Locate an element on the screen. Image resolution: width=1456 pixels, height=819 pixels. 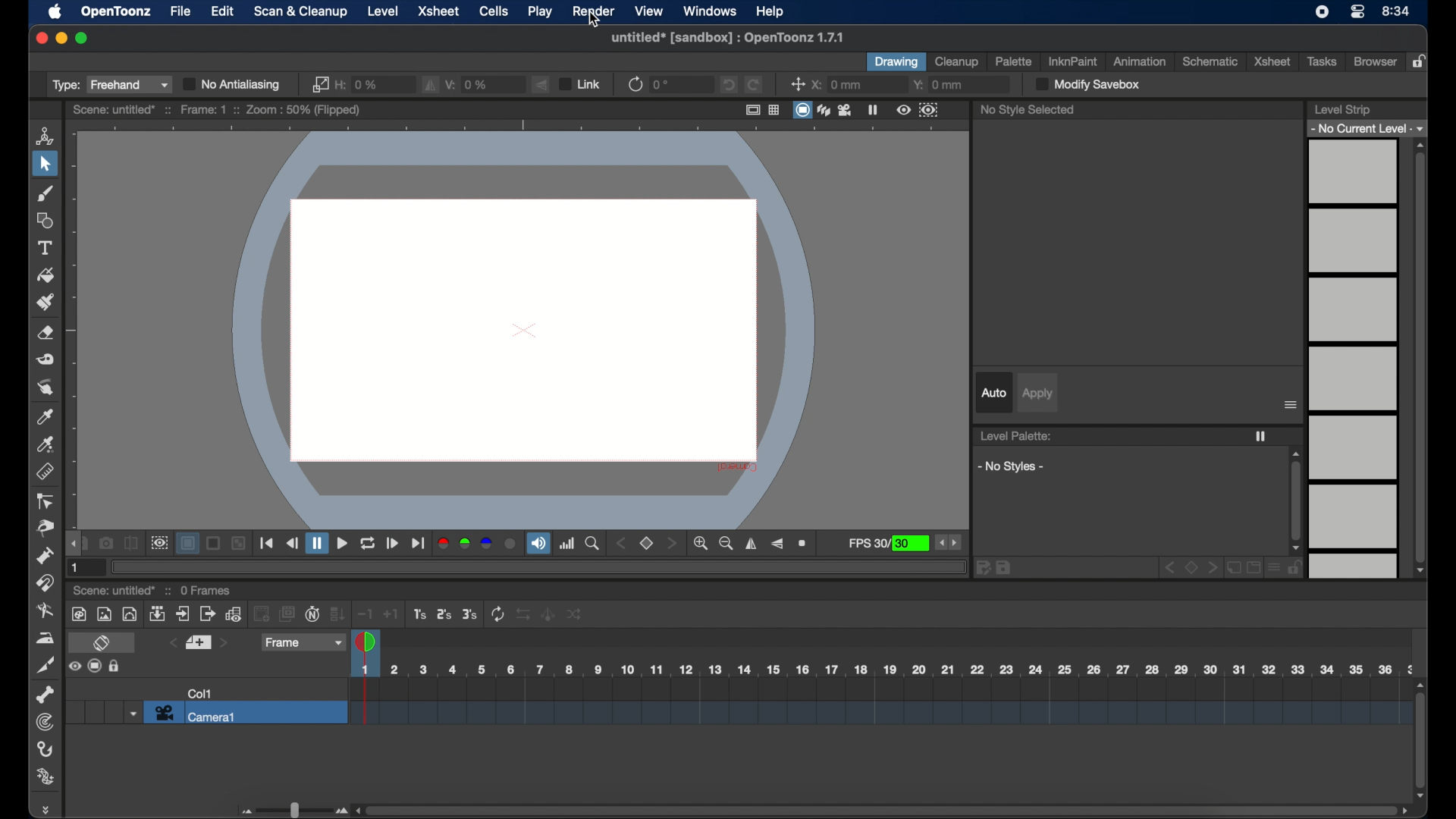
screen recorder icon is located at coordinates (1323, 11).